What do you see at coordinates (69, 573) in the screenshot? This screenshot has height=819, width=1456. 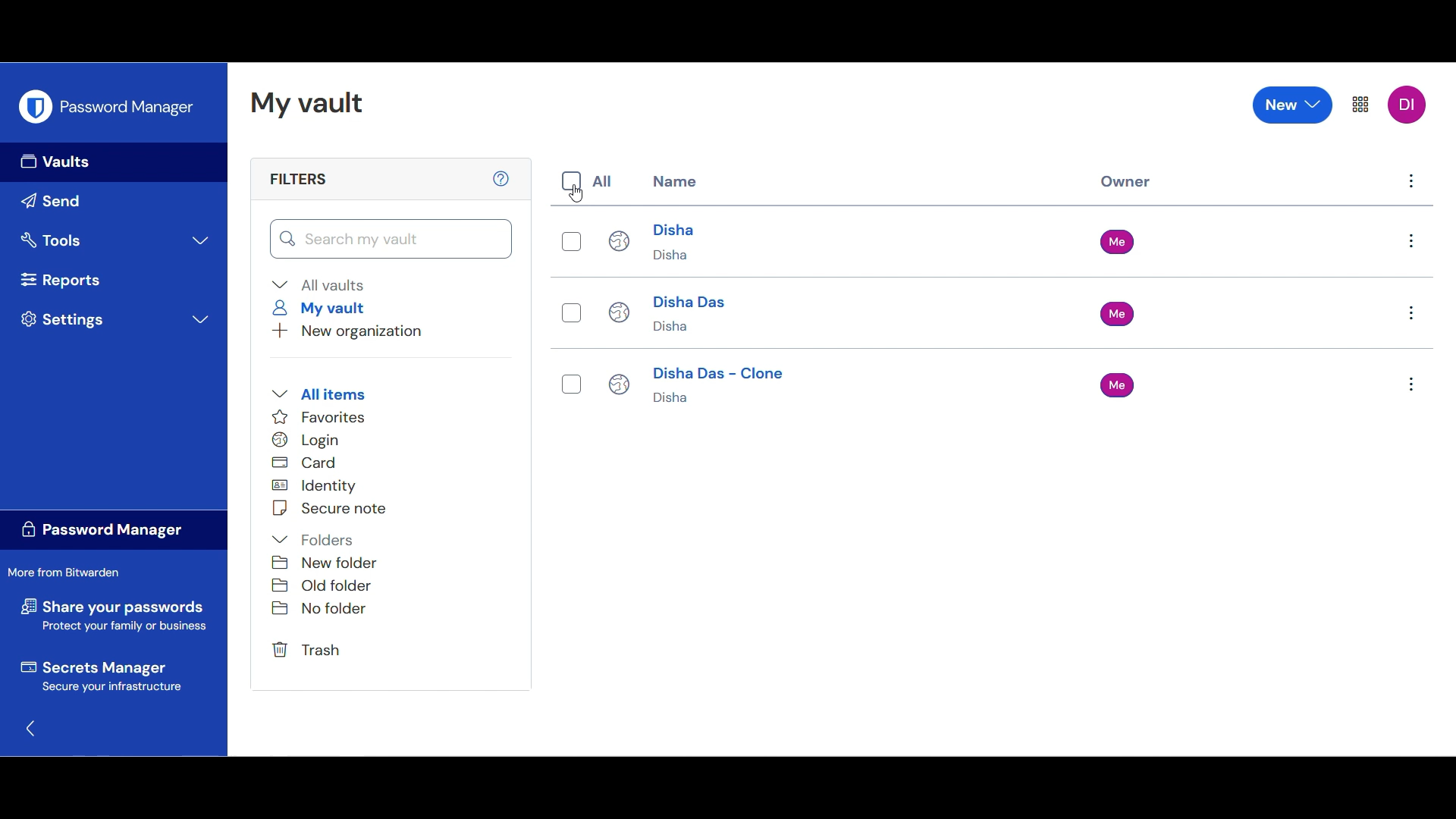 I see `More from Bitwarden` at bounding box center [69, 573].